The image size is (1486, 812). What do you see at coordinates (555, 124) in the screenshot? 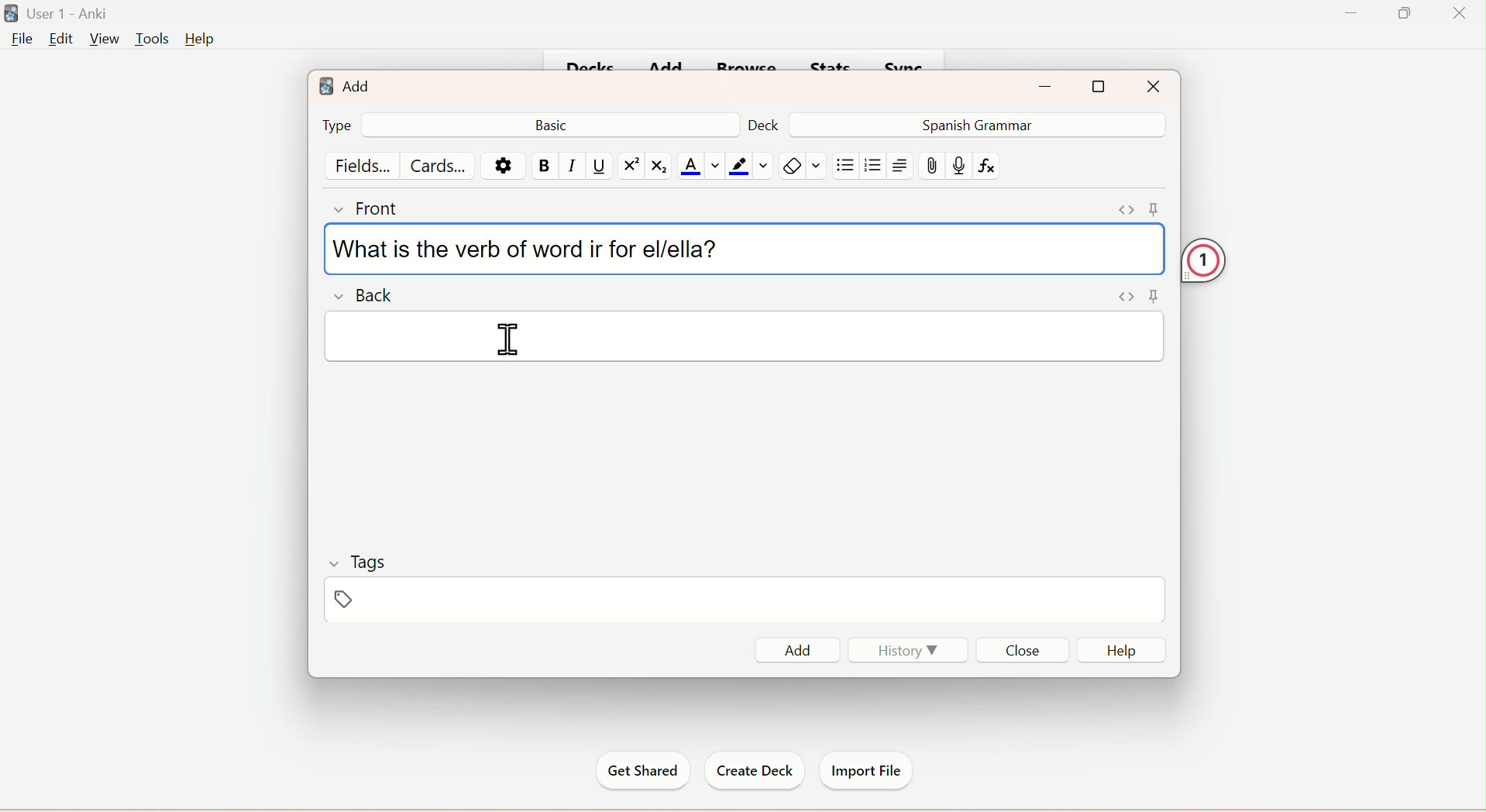
I see `Basic` at bounding box center [555, 124].